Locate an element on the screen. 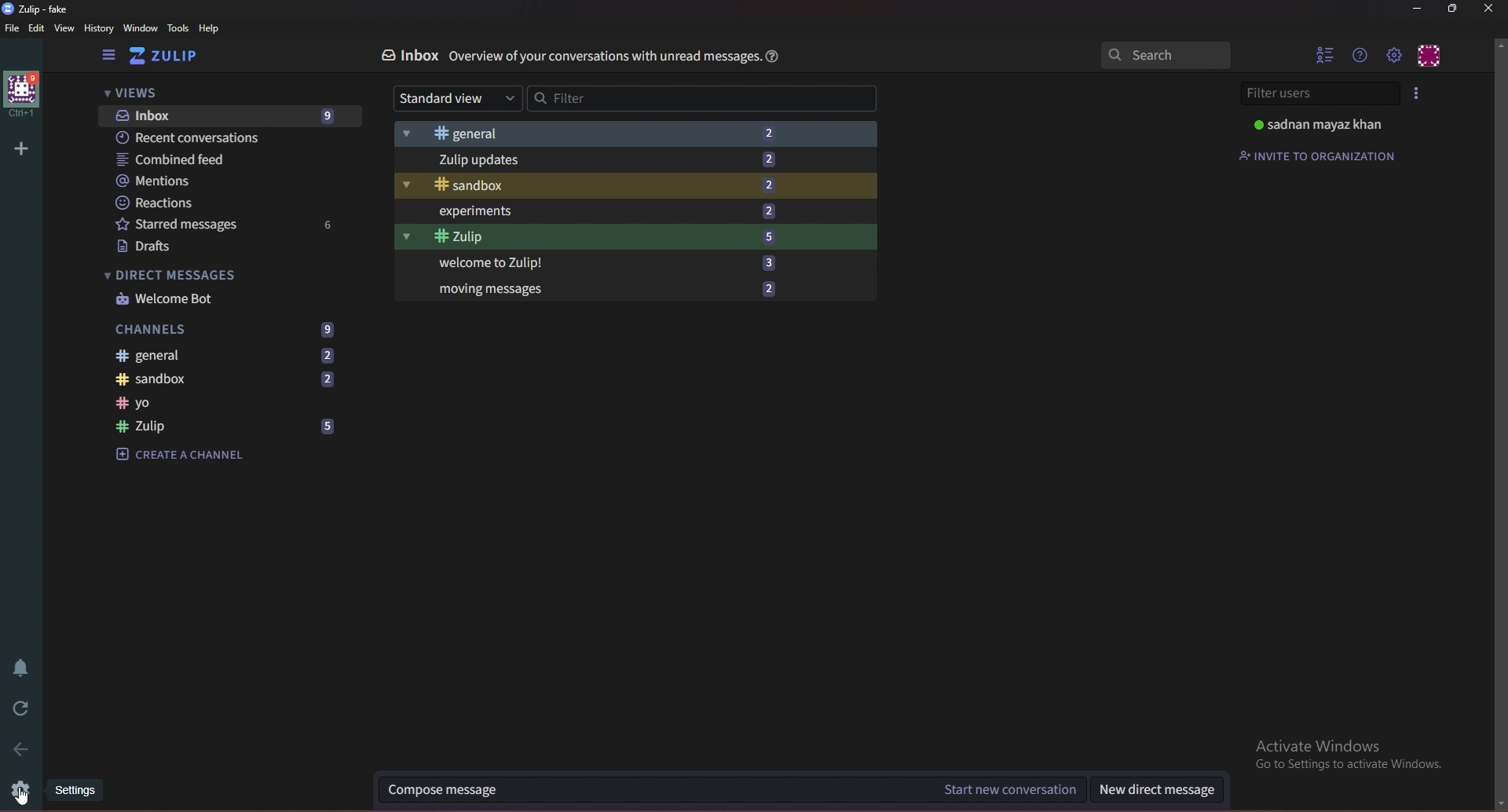 Image resolution: width=1508 pixels, height=812 pixels. Activate Windows
Go to Settings to activate Windows. is located at coordinates (1343, 753).